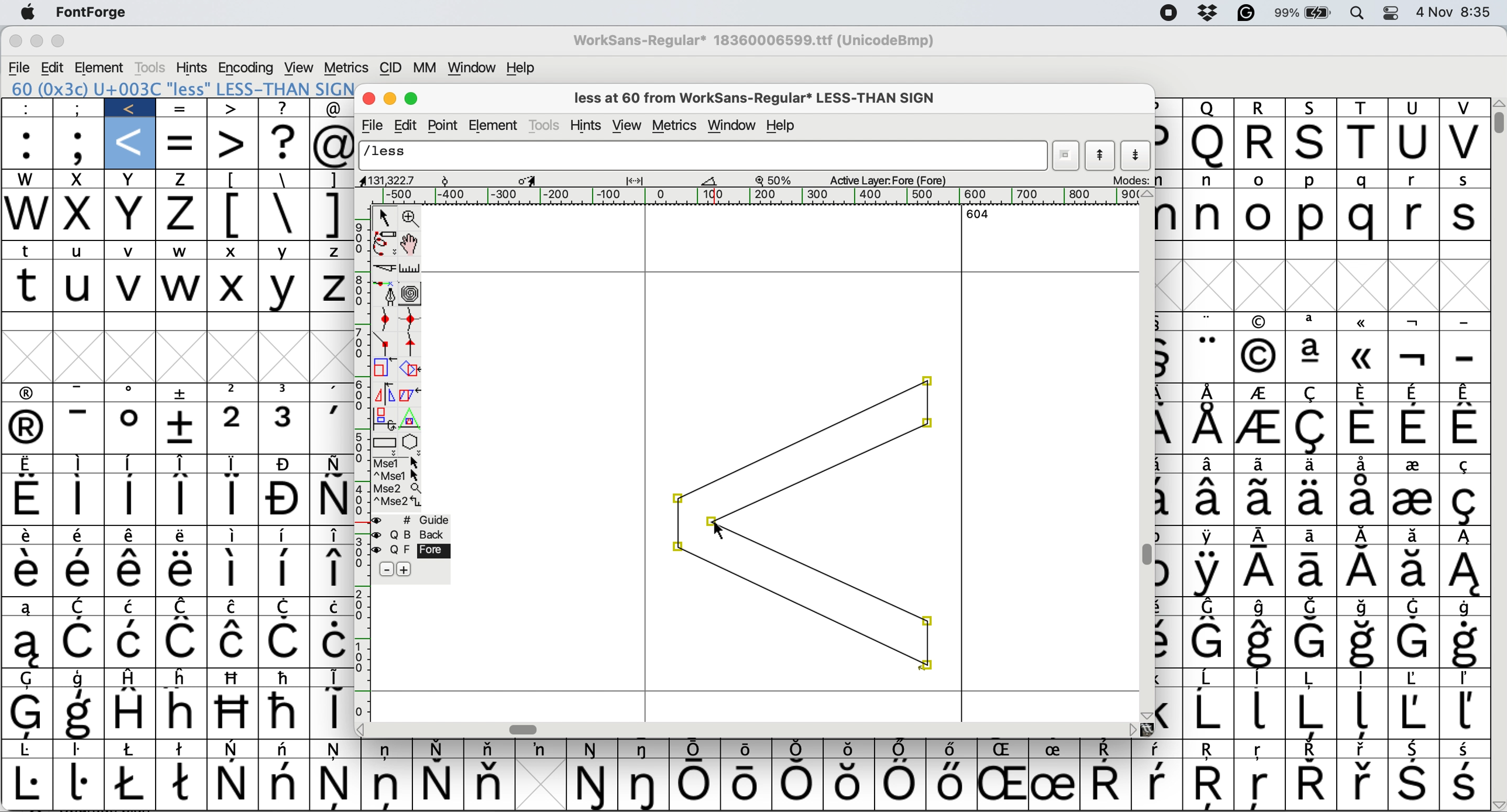 The image size is (1507, 812). What do you see at coordinates (247, 67) in the screenshot?
I see `encoding` at bounding box center [247, 67].